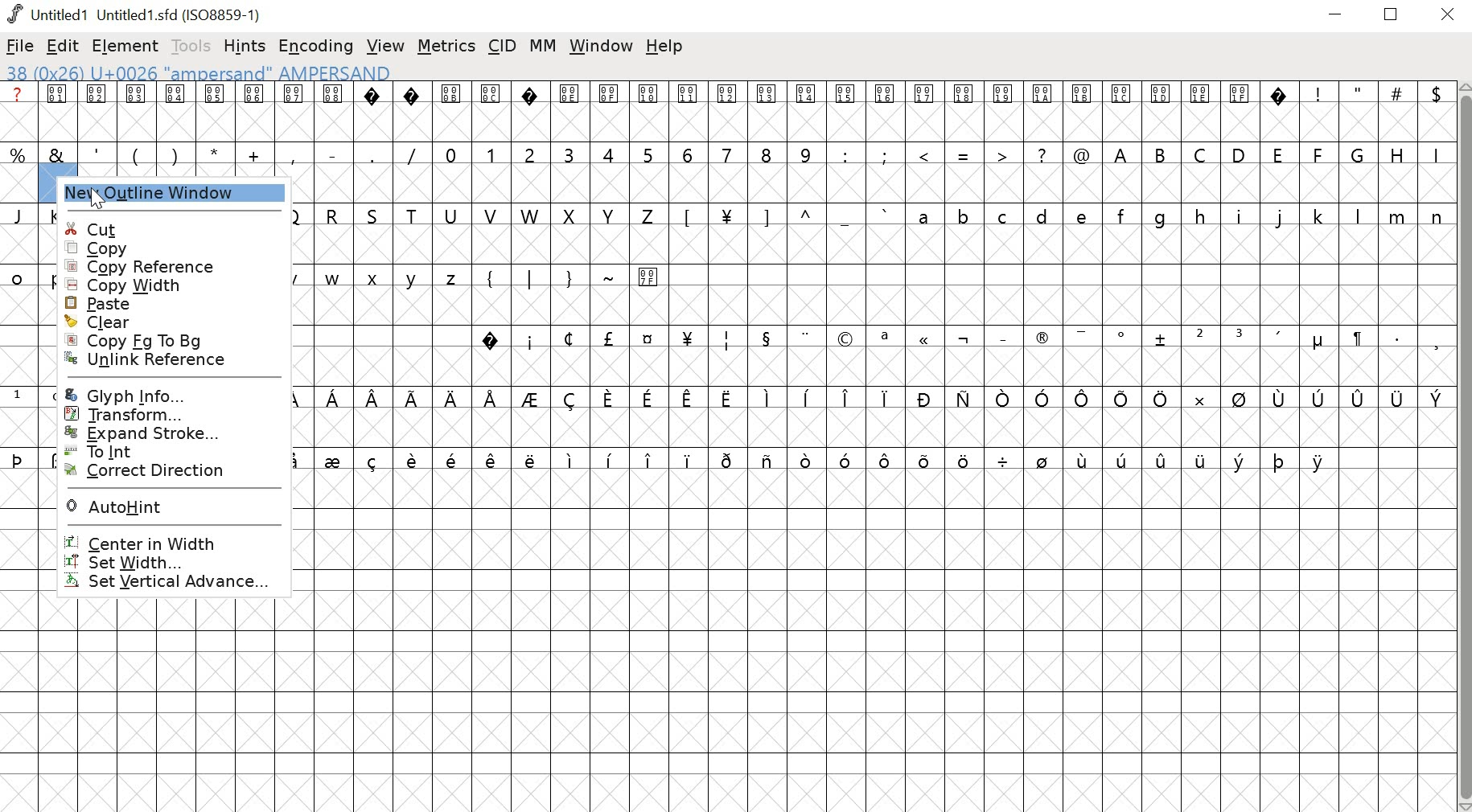 The image size is (1472, 812). Describe the element at coordinates (730, 153) in the screenshot. I see `7` at that location.